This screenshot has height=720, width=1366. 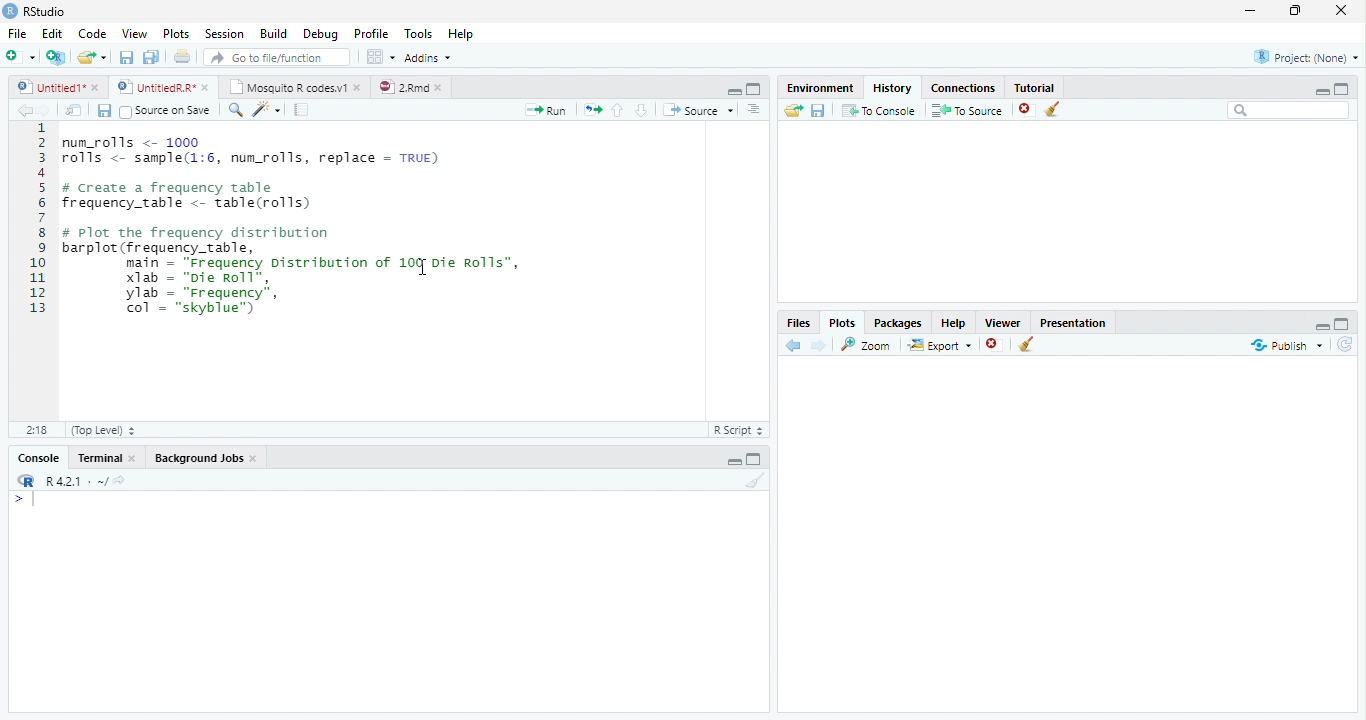 What do you see at coordinates (233, 110) in the screenshot?
I see `Find/Replace` at bounding box center [233, 110].